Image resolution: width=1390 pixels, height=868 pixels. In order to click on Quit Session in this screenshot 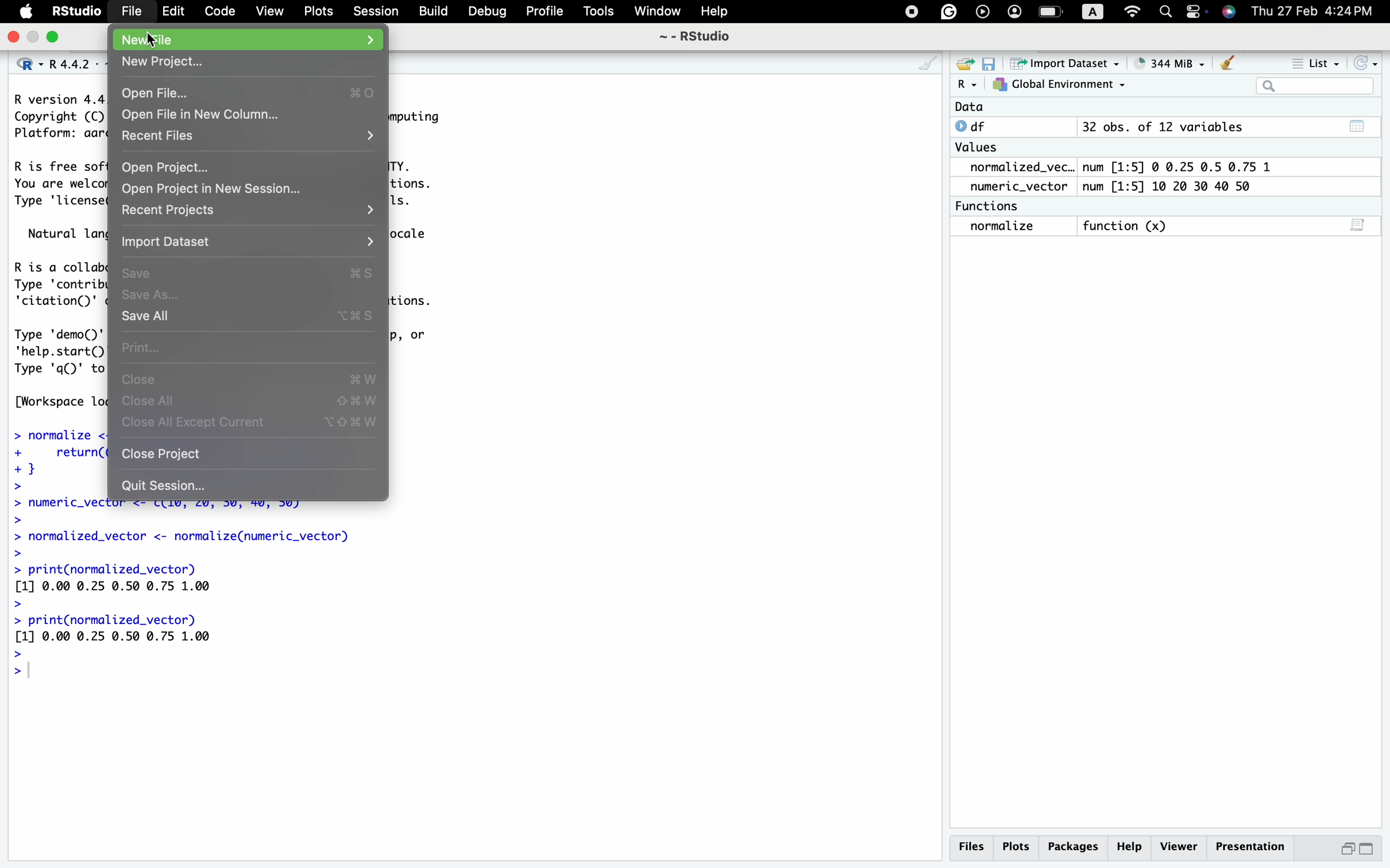, I will do `click(167, 486)`.